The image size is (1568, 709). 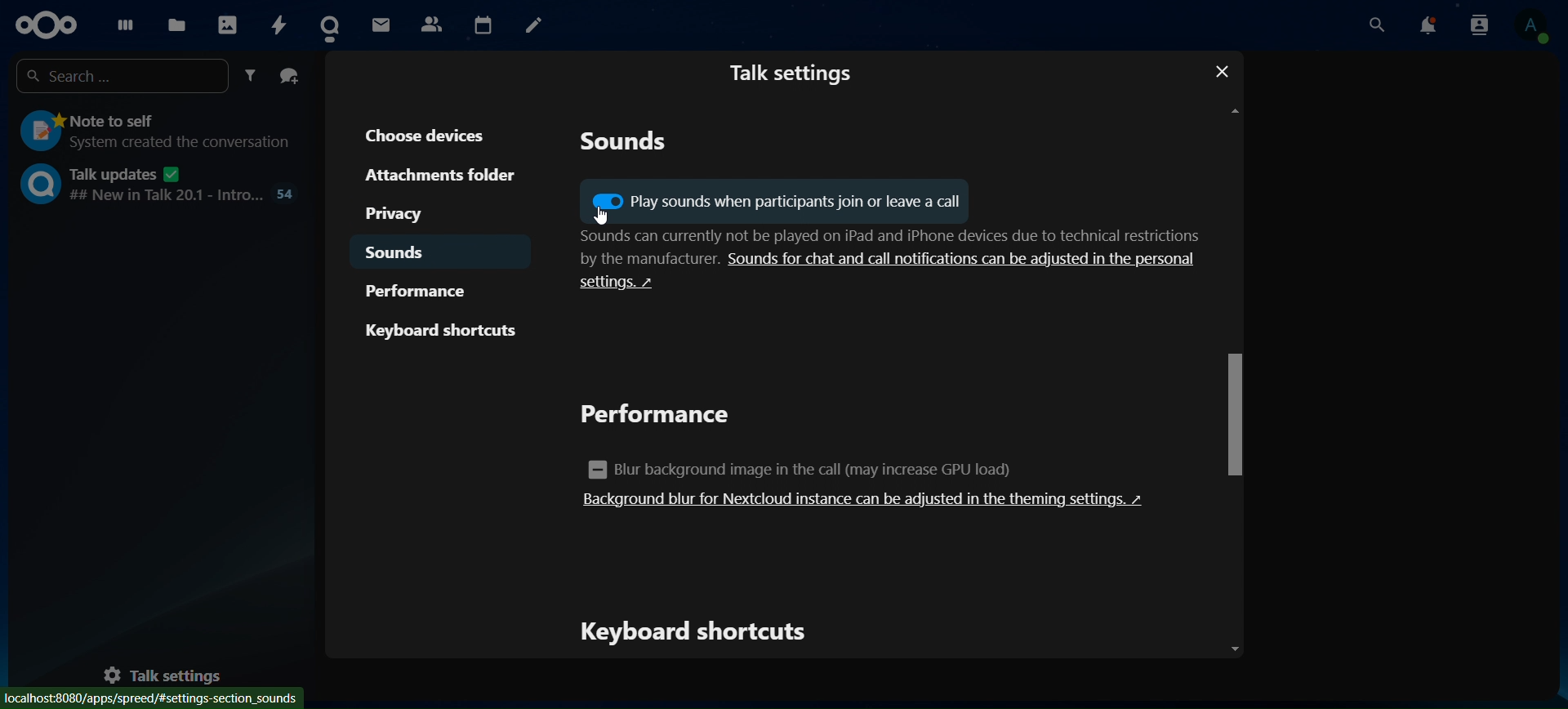 What do you see at coordinates (291, 77) in the screenshot?
I see `create a group` at bounding box center [291, 77].